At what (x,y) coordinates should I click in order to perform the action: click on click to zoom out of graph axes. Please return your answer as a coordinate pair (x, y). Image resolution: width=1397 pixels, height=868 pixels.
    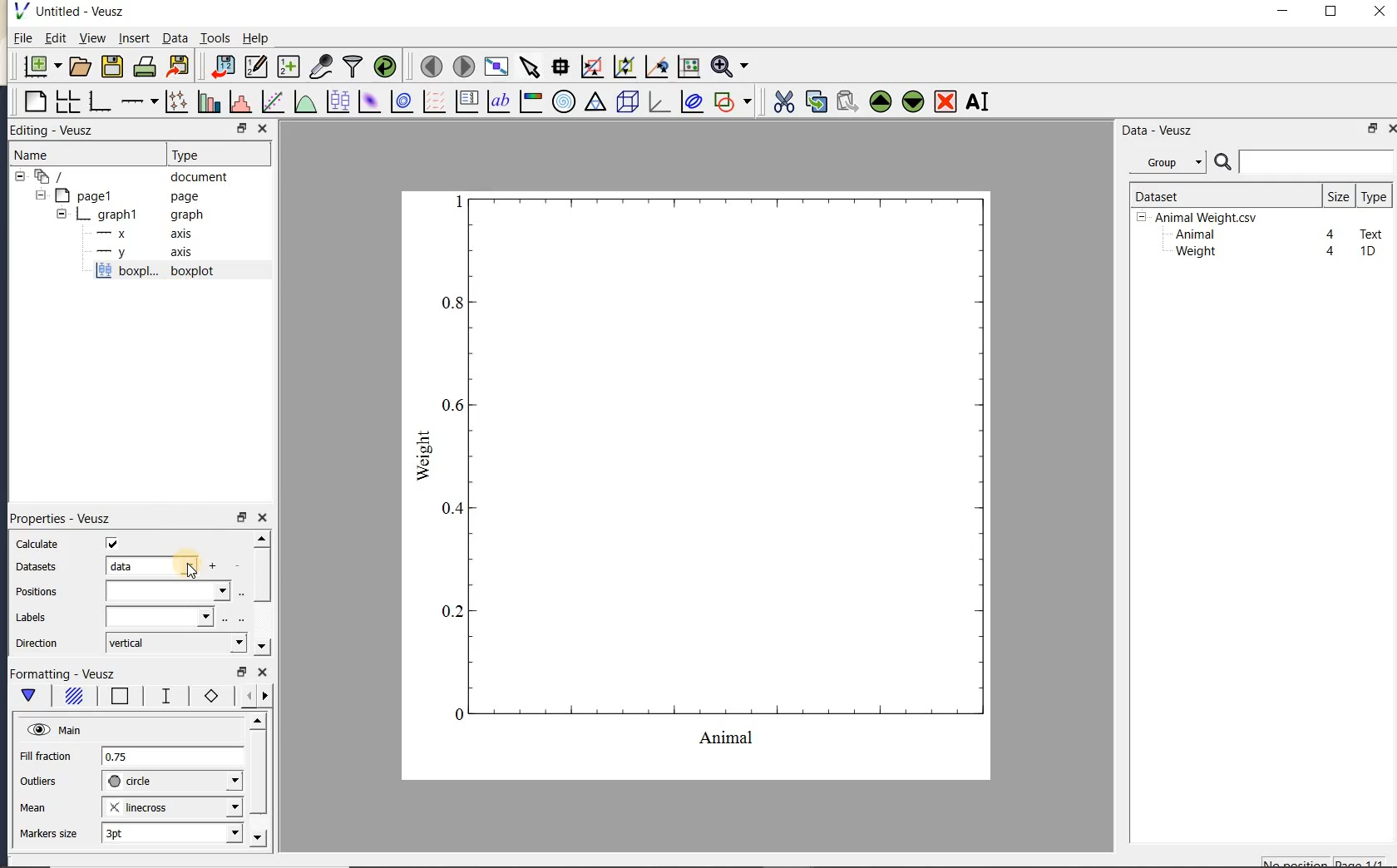
    Looking at the image, I should click on (625, 66).